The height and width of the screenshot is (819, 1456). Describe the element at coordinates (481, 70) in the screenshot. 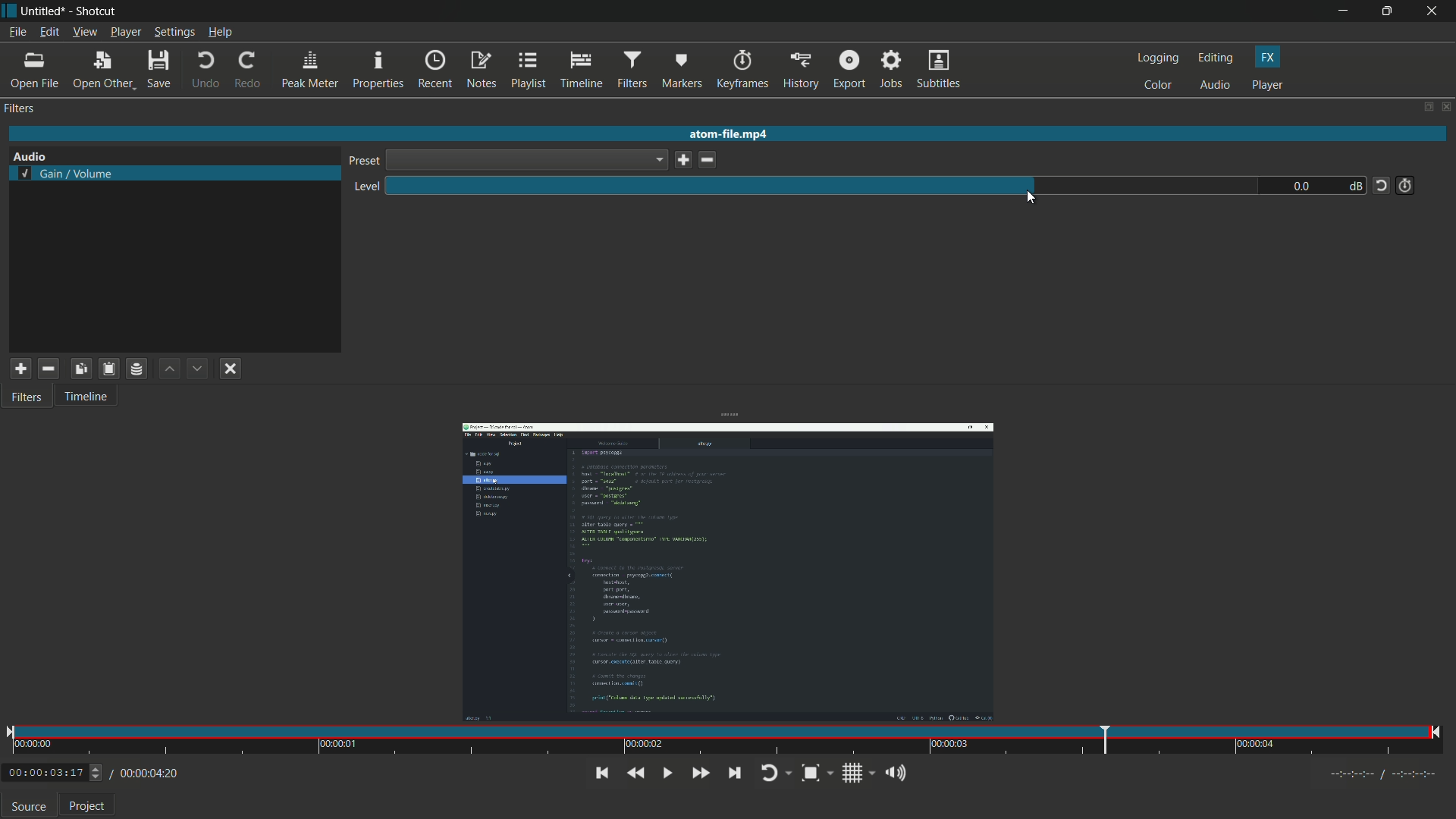

I see `notes` at that location.